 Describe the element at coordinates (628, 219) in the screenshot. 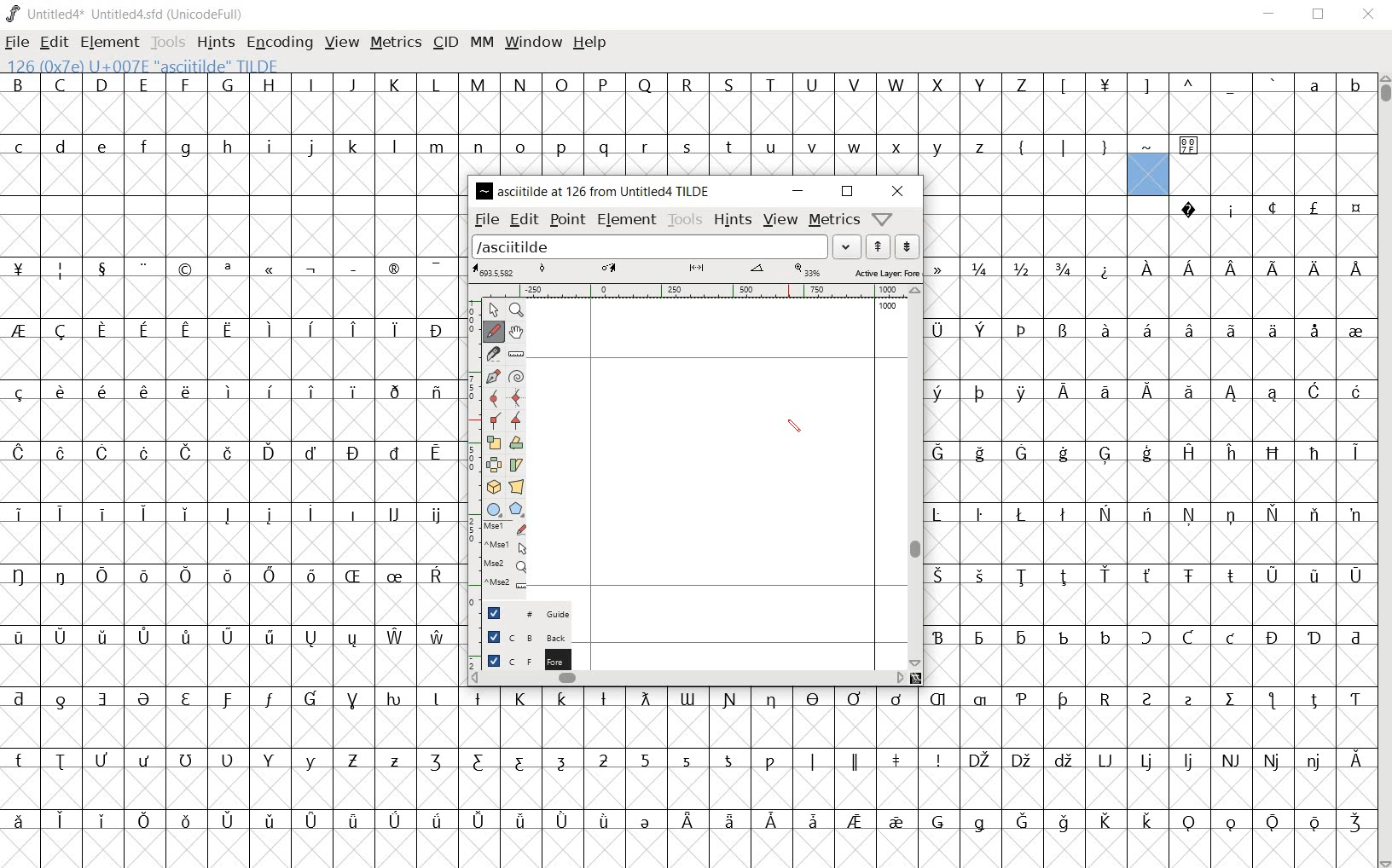

I see `element` at that location.